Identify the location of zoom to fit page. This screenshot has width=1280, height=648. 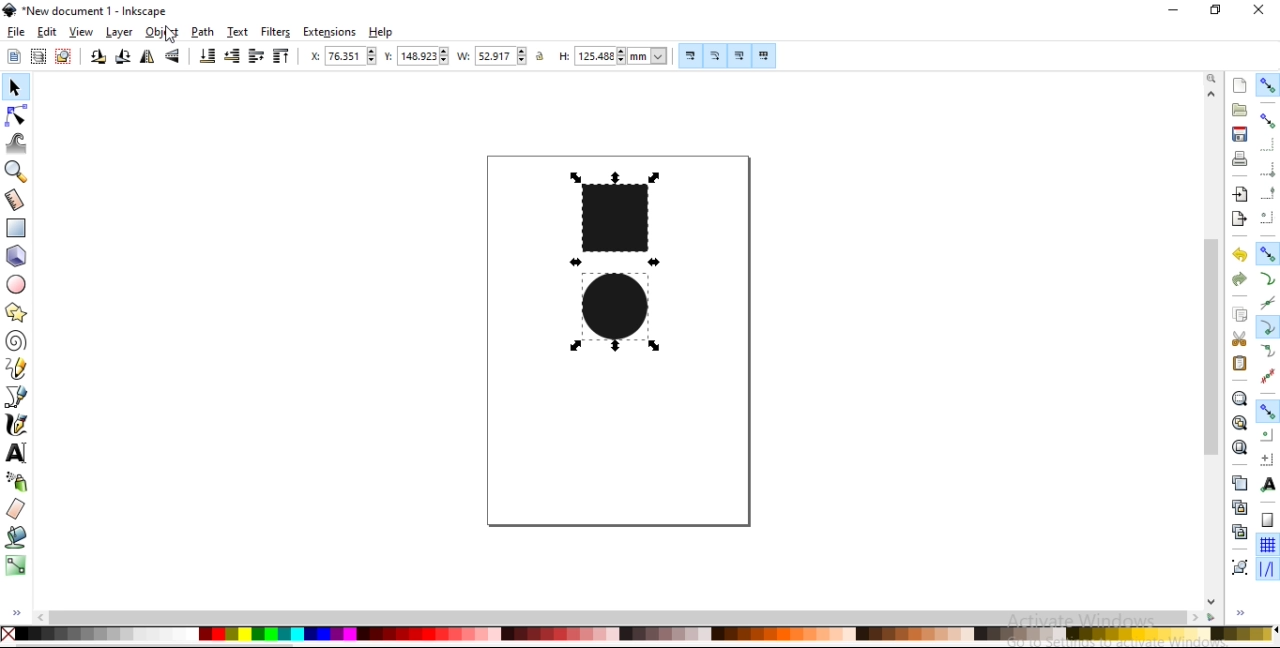
(1240, 447).